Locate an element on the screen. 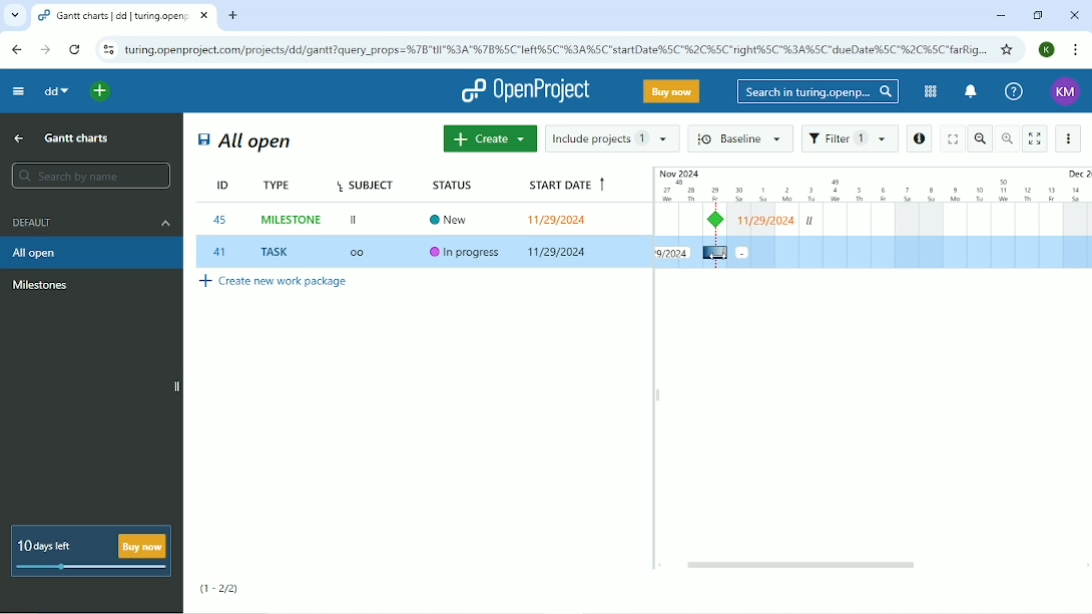  MILESTONE is located at coordinates (293, 220).